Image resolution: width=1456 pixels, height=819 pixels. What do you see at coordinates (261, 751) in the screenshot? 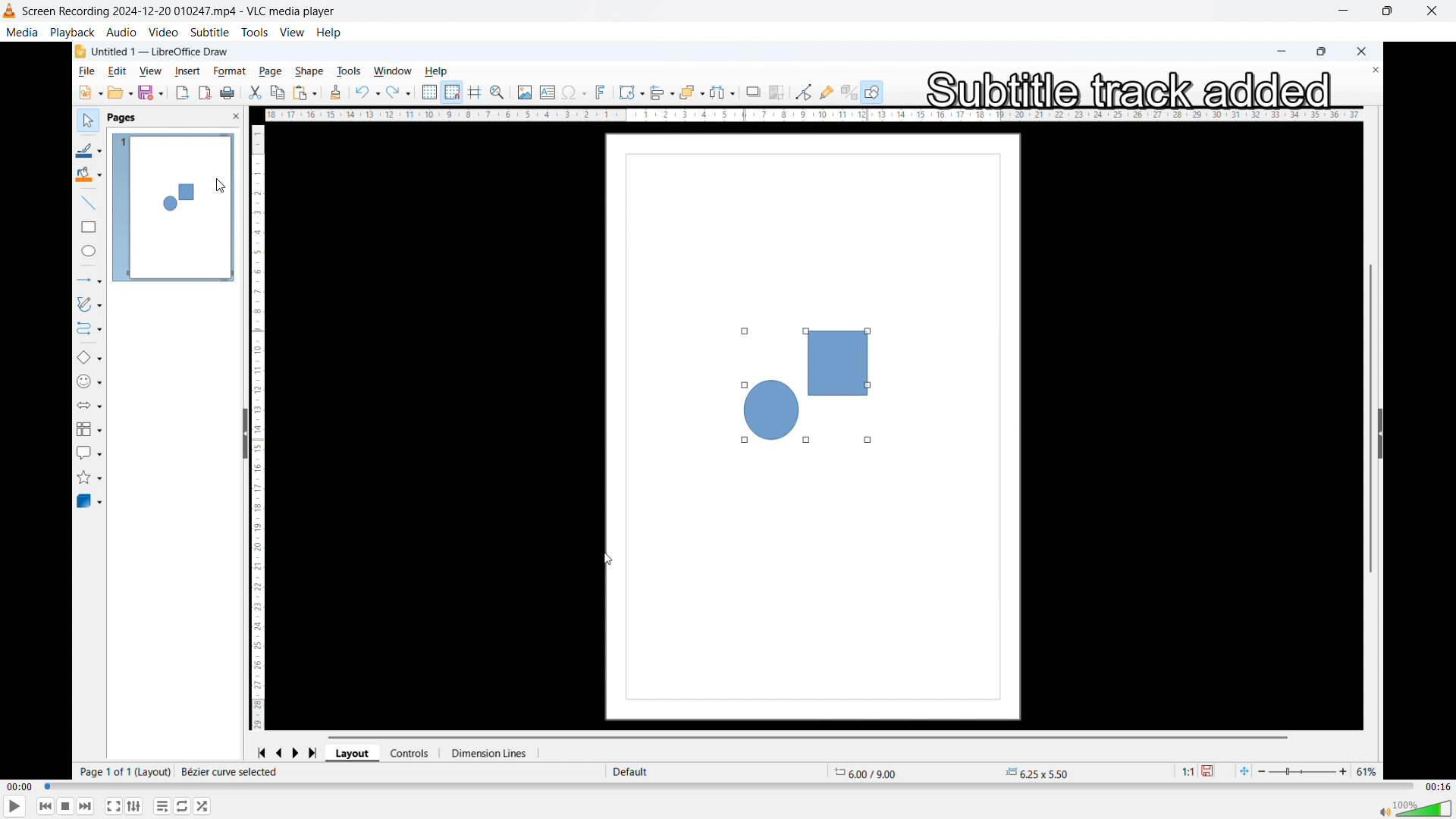
I see `first page` at bounding box center [261, 751].